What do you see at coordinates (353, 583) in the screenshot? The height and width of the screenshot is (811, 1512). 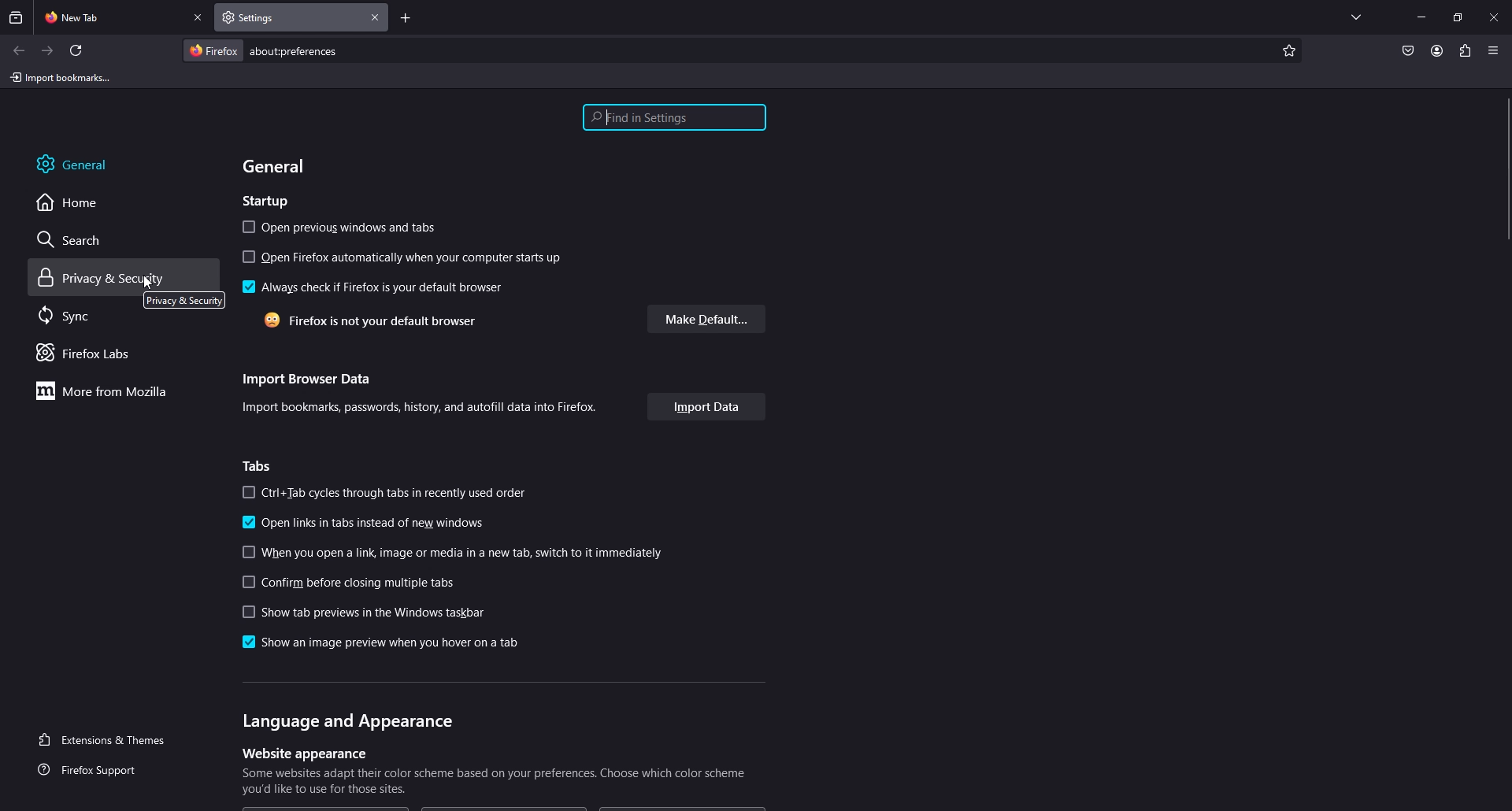 I see `confirm before closing multiple tabs` at bounding box center [353, 583].